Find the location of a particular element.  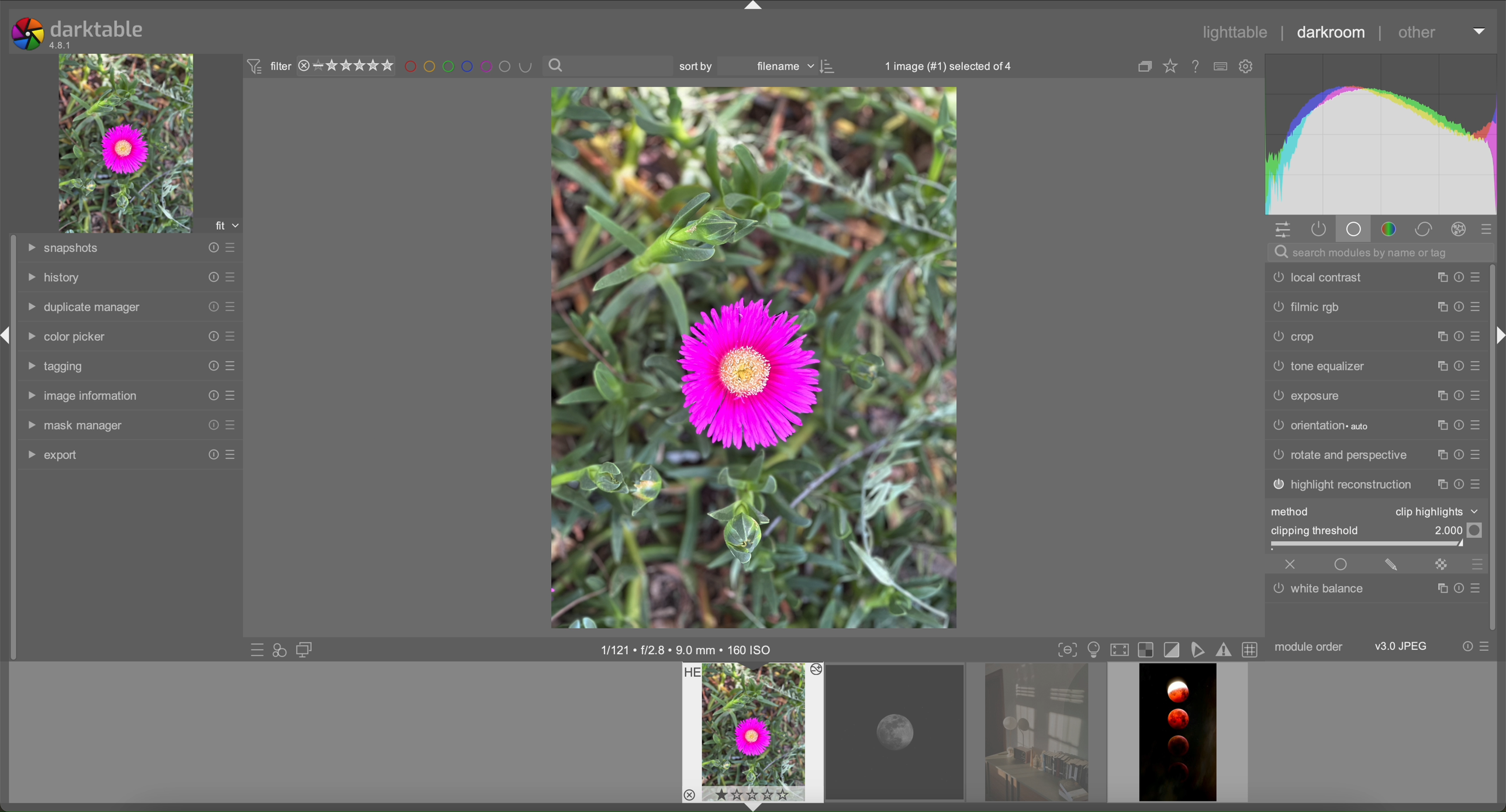

set display profile is located at coordinates (1120, 650).